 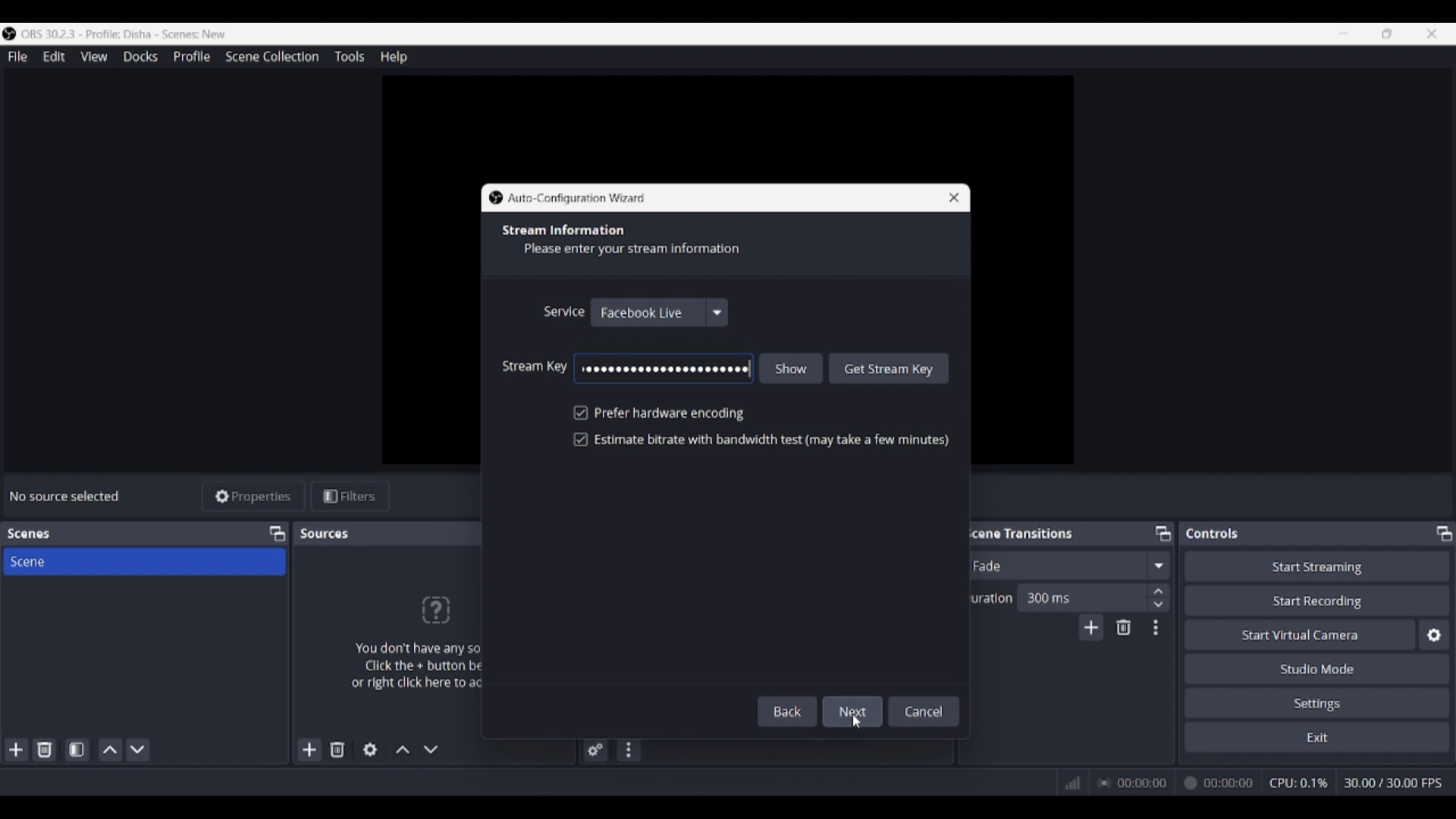 I want to click on Open scene filters, so click(x=77, y=749).